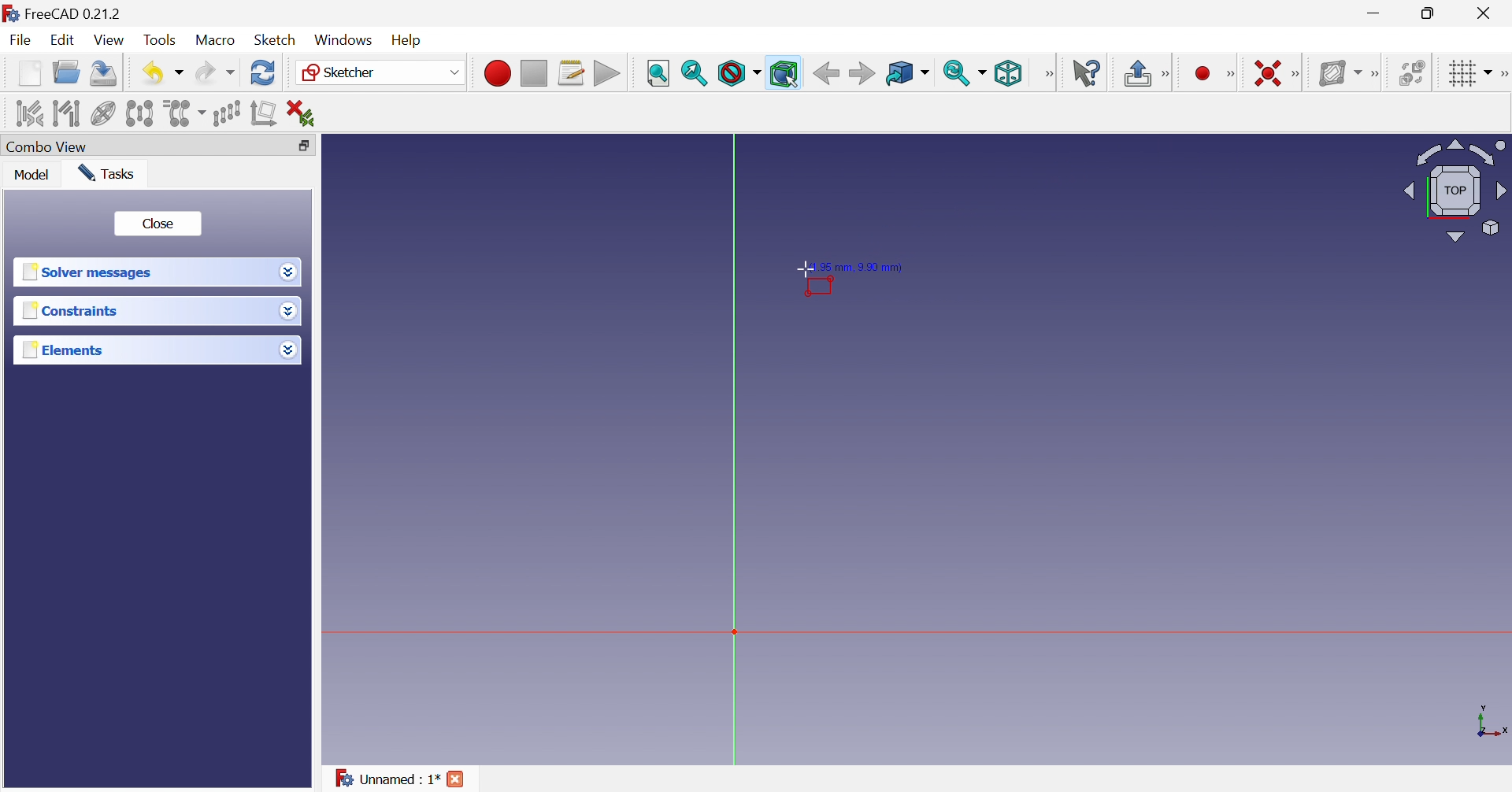  I want to click on Fit all, so click(658, 73).